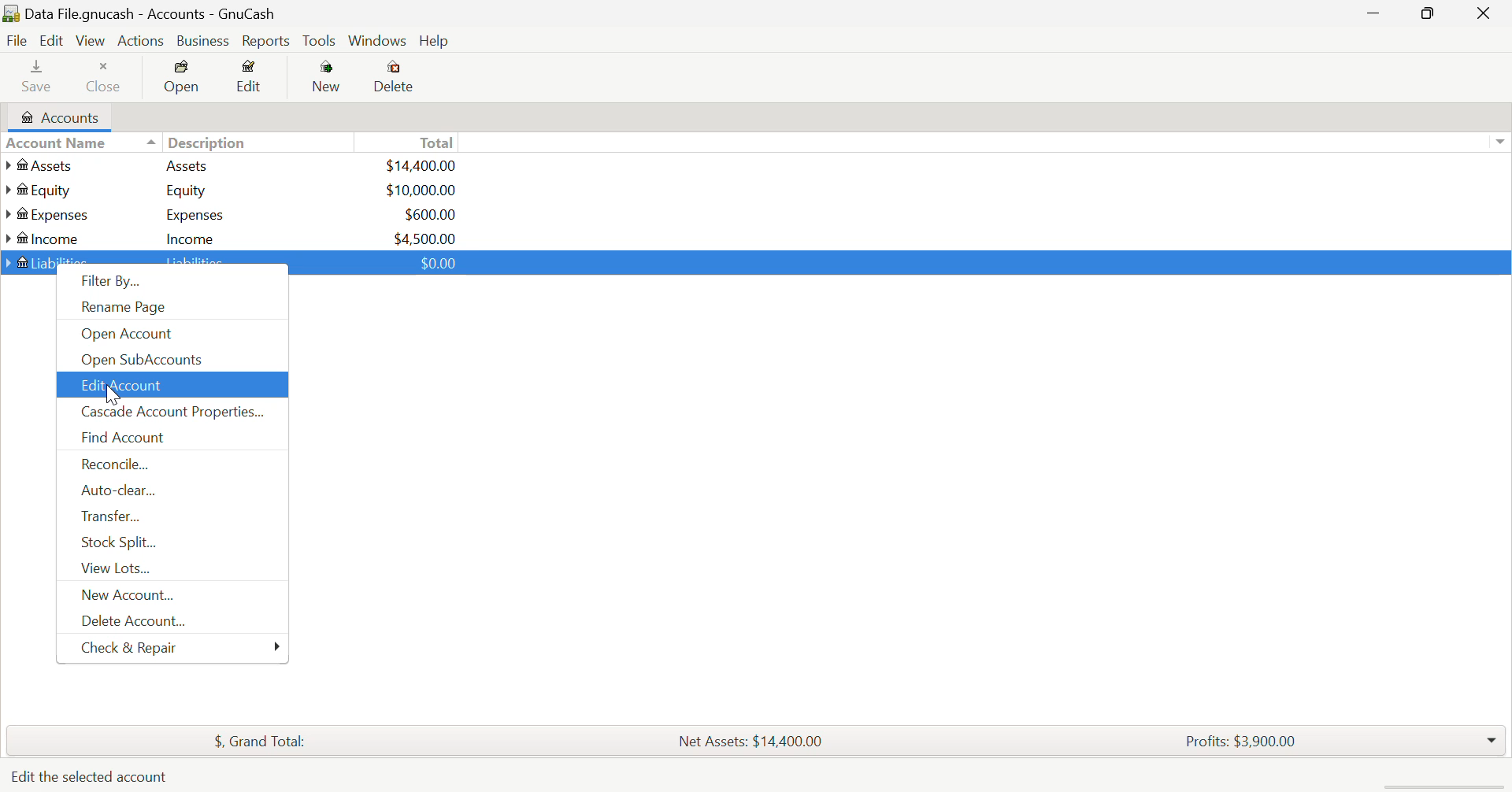 Image resolution: width=1512 pixels, height=792 pixels. Describe the element at coordinates (170, 439) in the screenshot. I see `Find Account` at that location.